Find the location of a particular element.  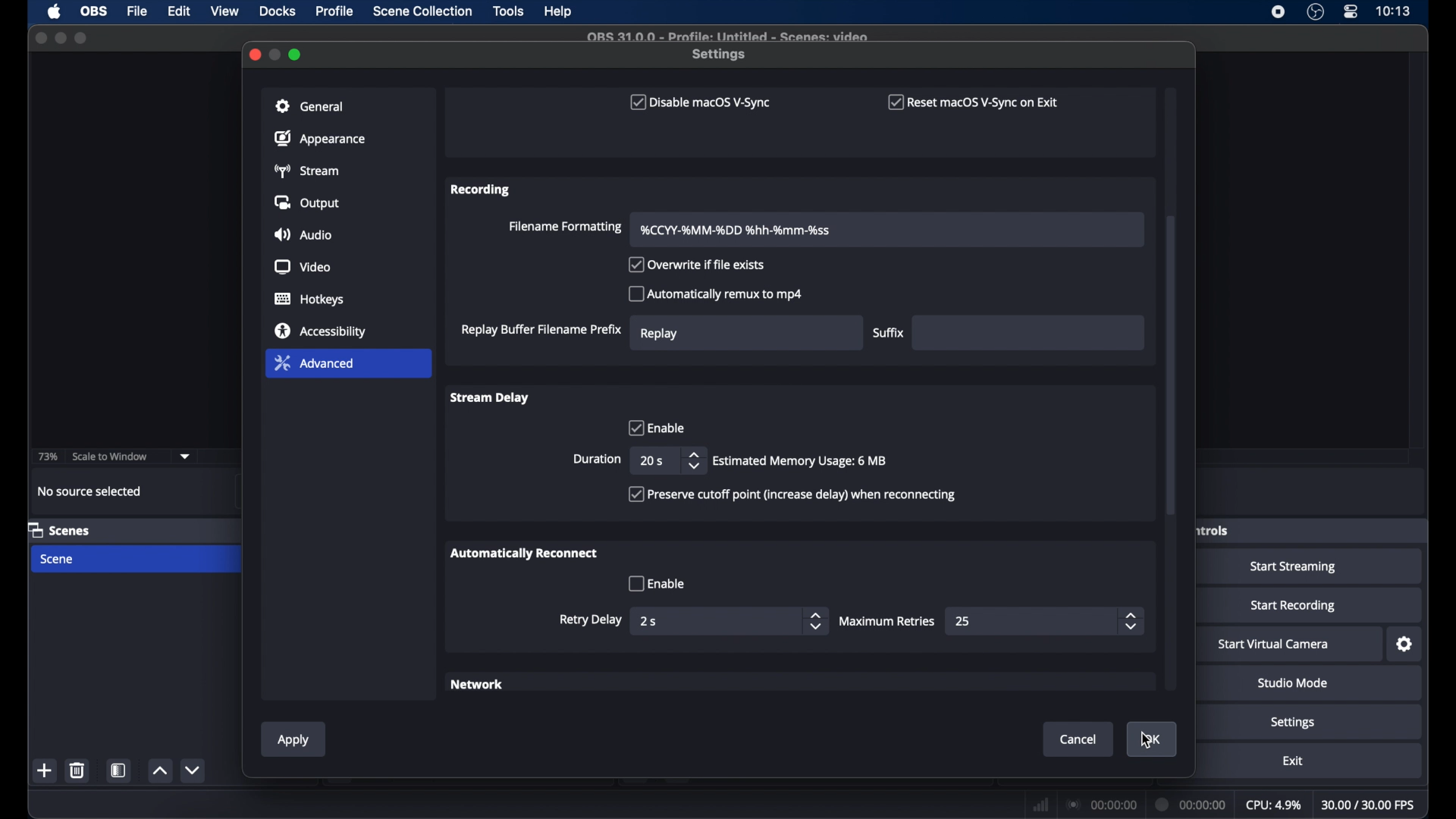

minimize is located at coordinates (60, 38).